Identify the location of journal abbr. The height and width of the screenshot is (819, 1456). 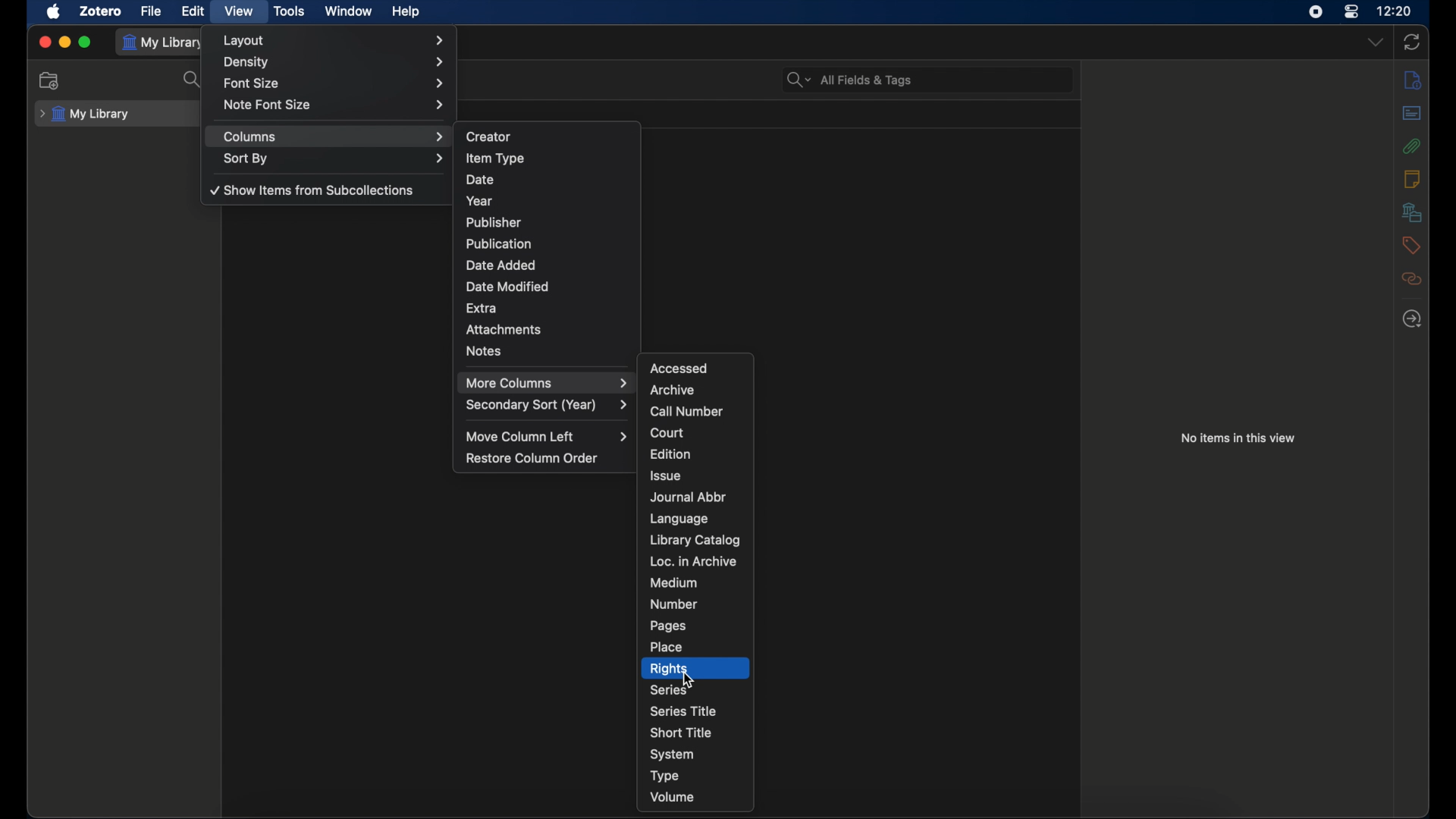
(688, 497).